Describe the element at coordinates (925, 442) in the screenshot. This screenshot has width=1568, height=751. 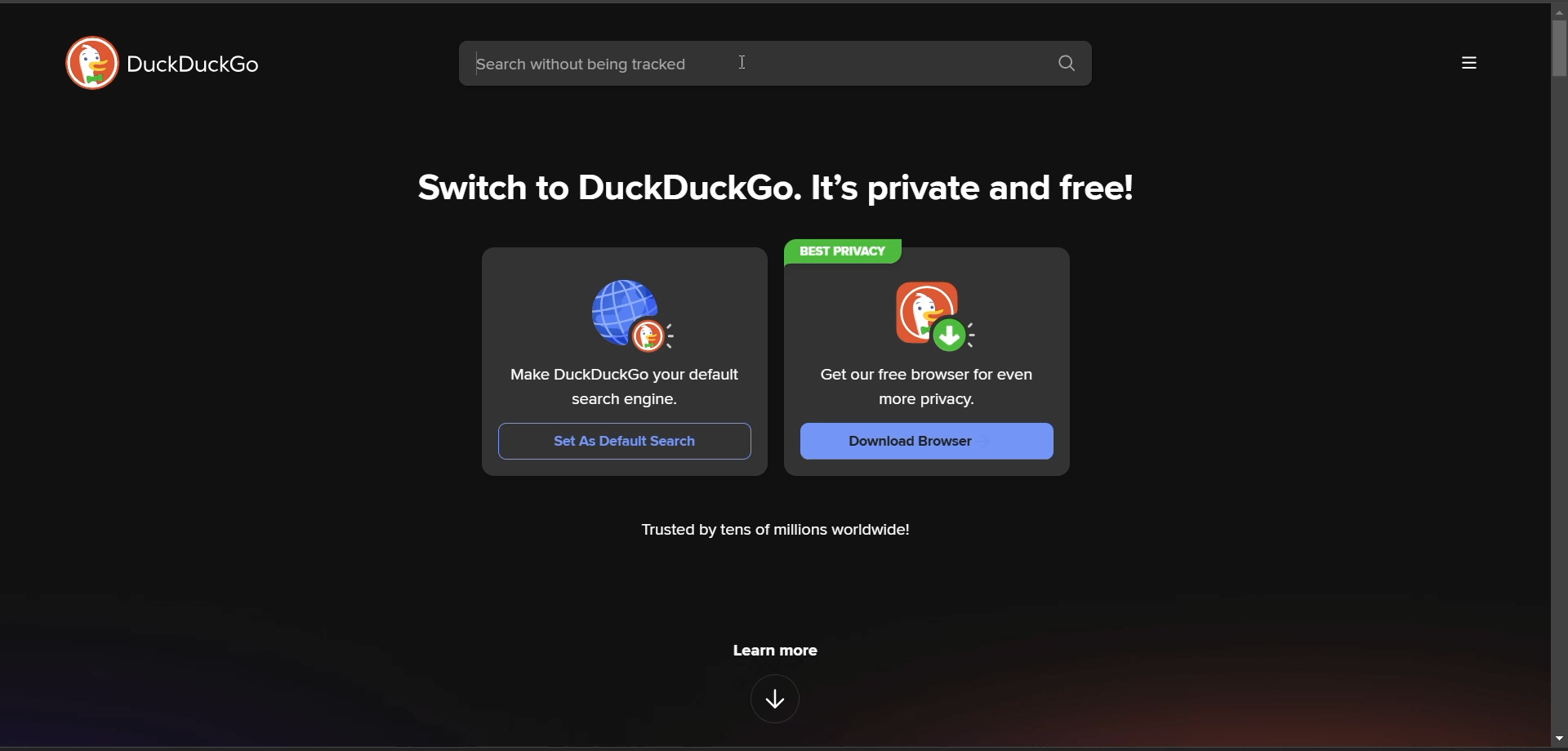
I see `Download Browser` at that location.